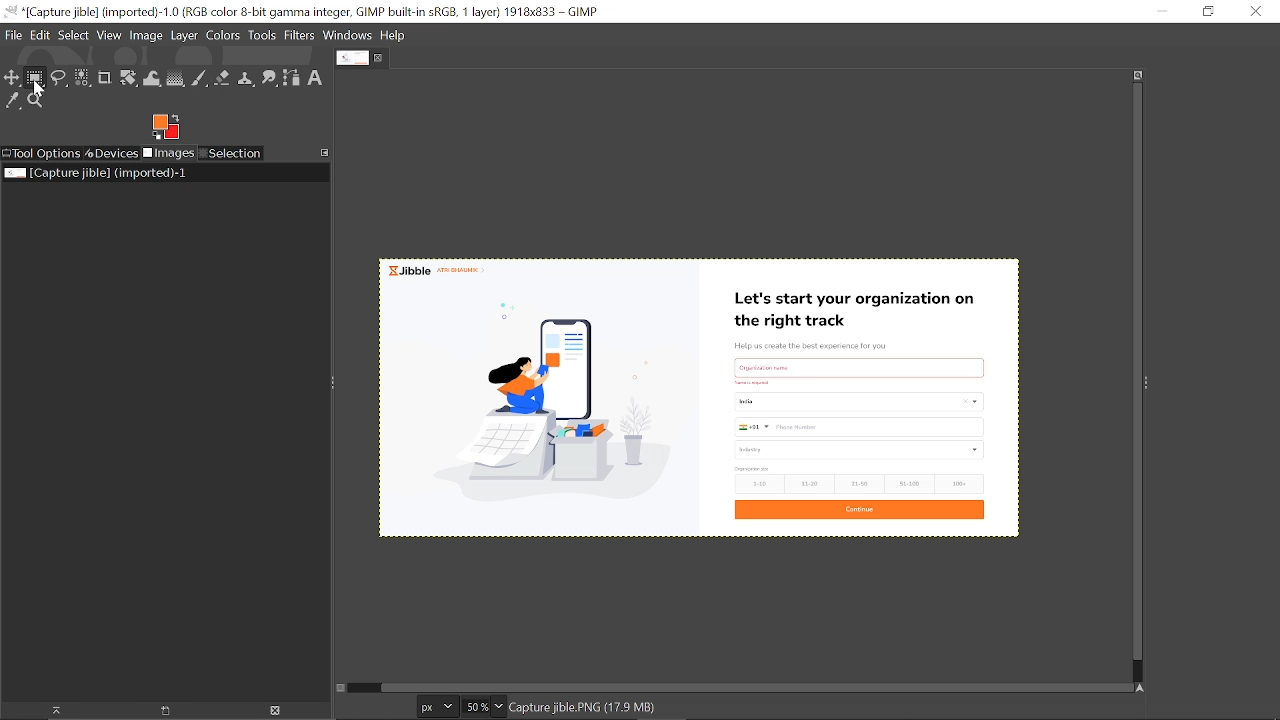 The height and width of the screenshot is (720, 1280). Describe the element at coordinates (247, 80) in the screenshot. I see `Clone tool` at that location.